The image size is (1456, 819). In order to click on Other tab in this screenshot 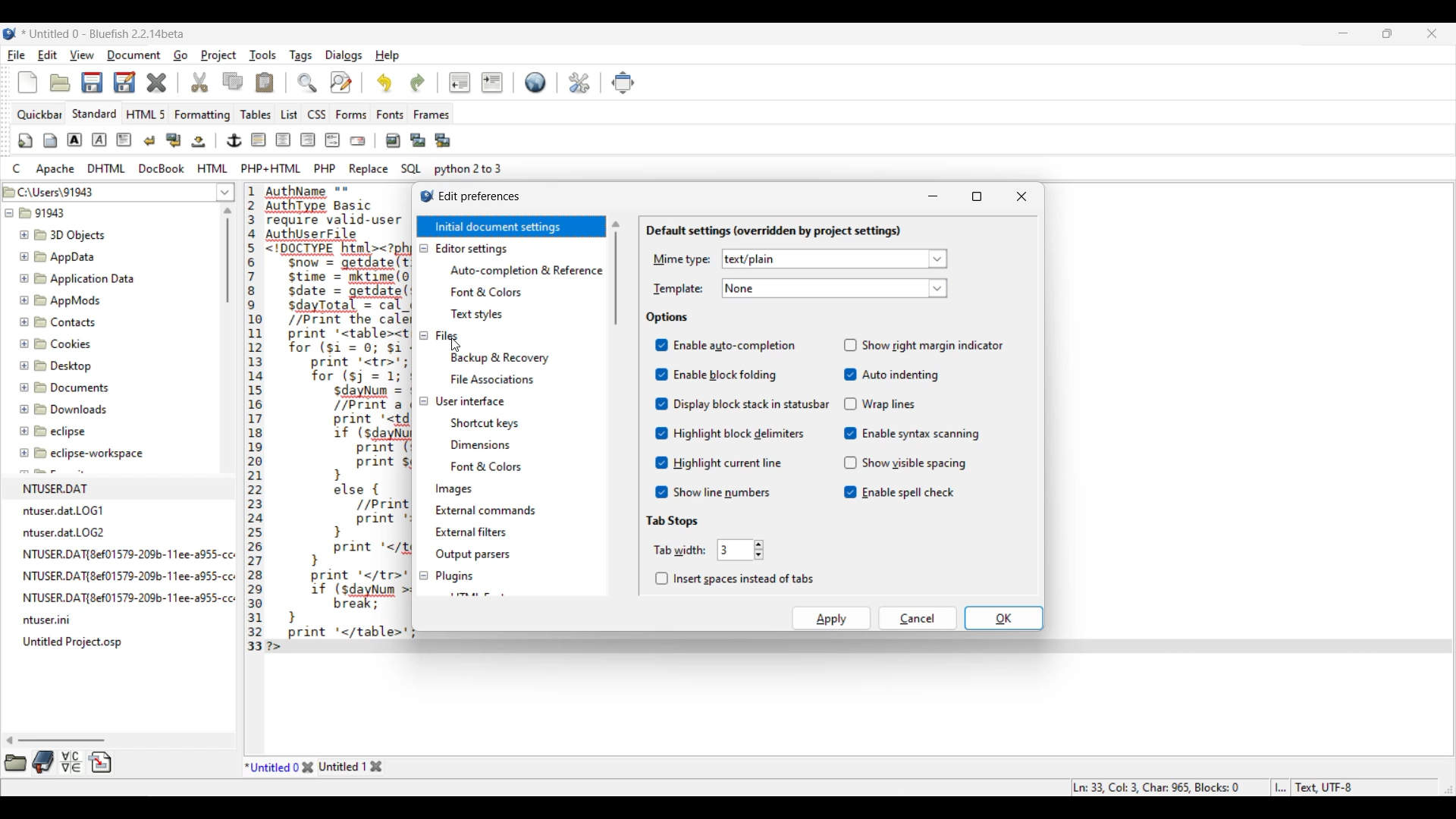, I will do `click(350, 766)`.